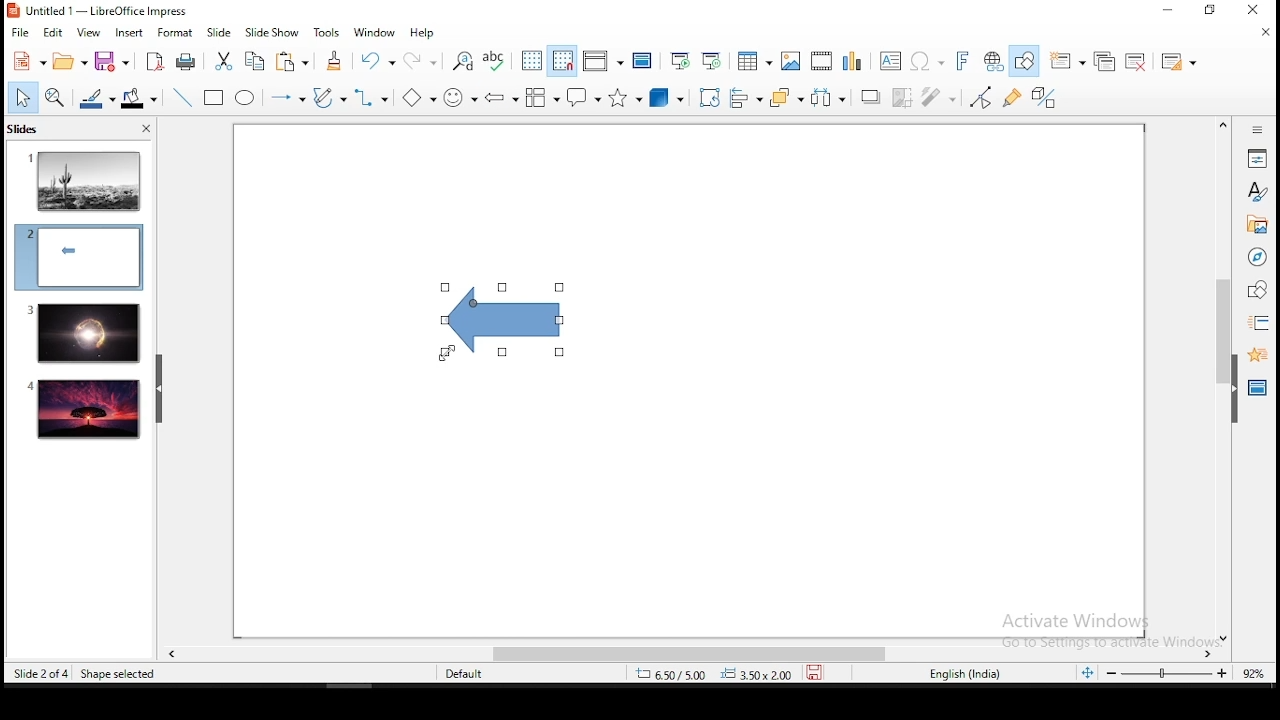 This screenshot has height=720, width=1280. Describe the element at coordinates (1256, 259) in the screenshot. I see `navigator` at that location.